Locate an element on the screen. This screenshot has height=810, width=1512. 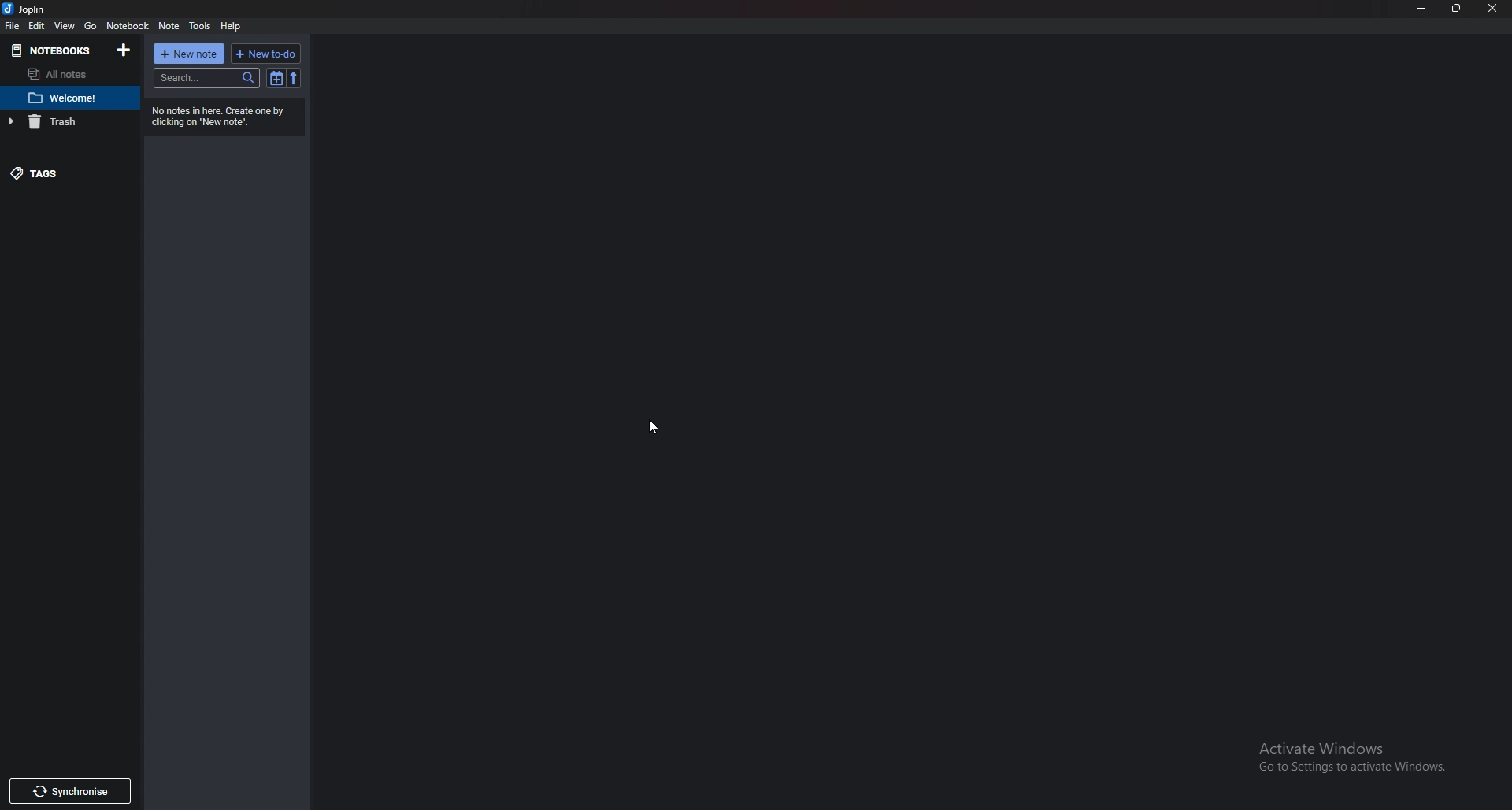
toggle sort order is located at coordinates (275, 79).